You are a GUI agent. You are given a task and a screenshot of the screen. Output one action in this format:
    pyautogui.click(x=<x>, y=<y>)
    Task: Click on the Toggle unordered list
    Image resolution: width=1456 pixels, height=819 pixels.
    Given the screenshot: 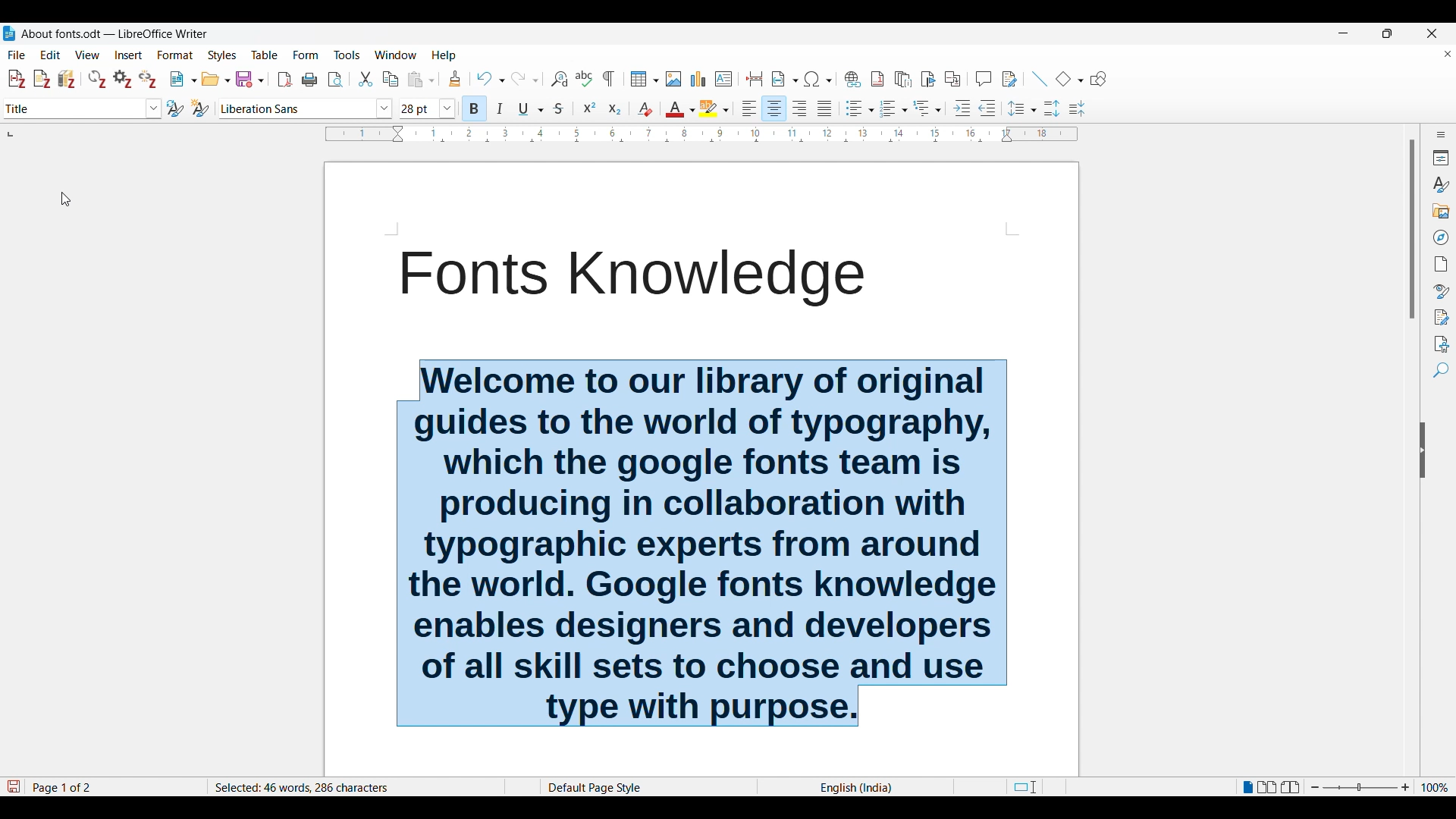 What is the action you would take?
    pyautogui.click(x=860, y=108)
    